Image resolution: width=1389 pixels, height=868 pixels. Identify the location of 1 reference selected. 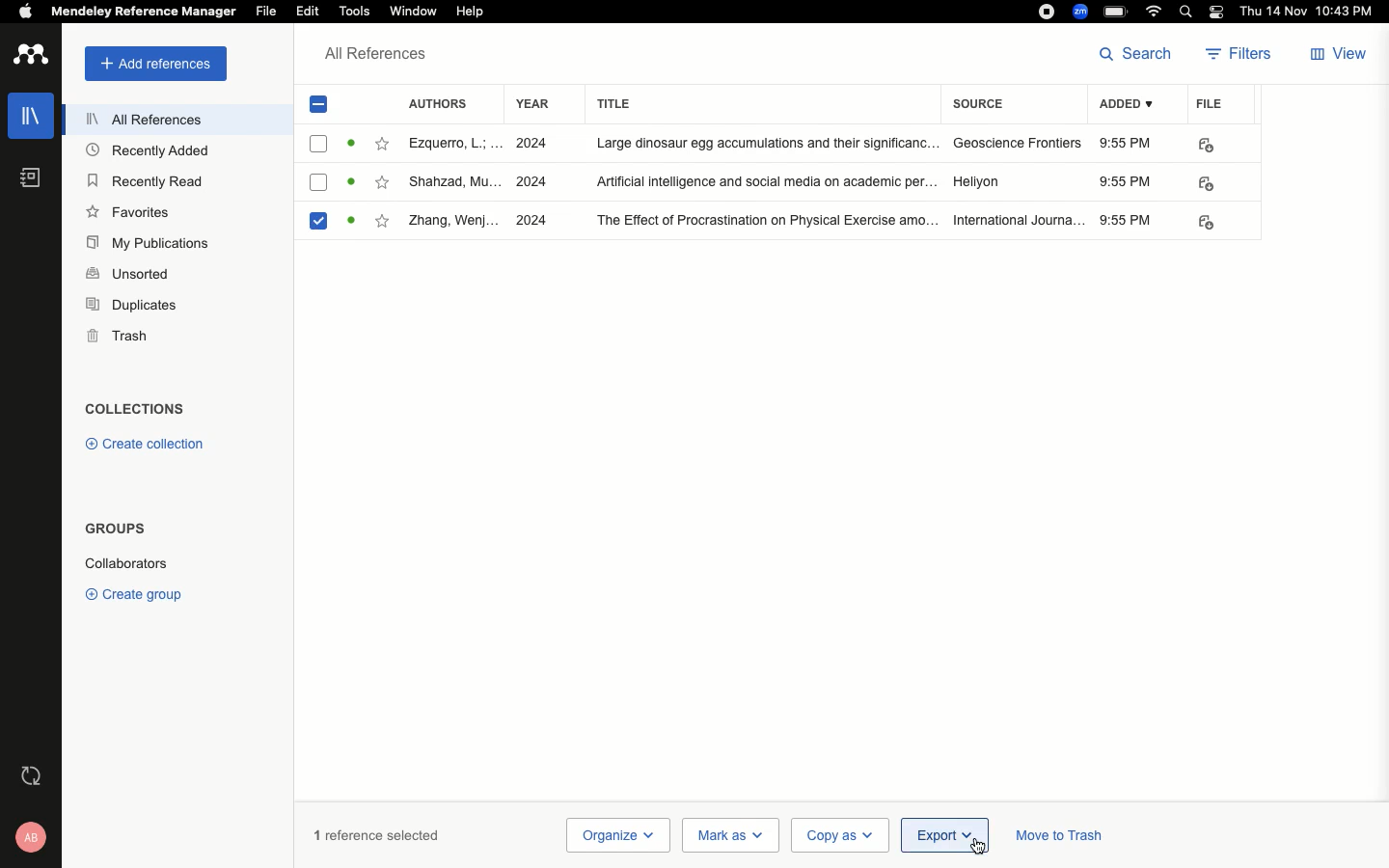
(377, 834).